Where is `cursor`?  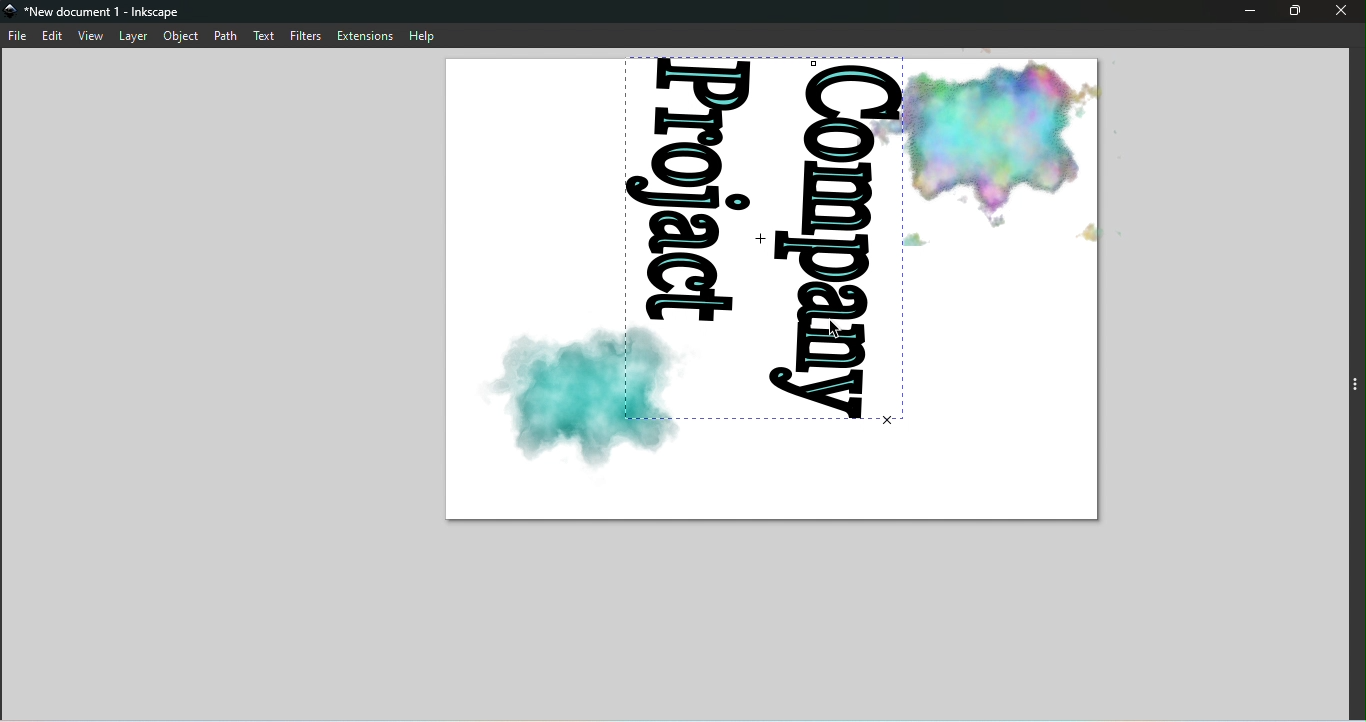
cursor is located at coordinates (840, 331).